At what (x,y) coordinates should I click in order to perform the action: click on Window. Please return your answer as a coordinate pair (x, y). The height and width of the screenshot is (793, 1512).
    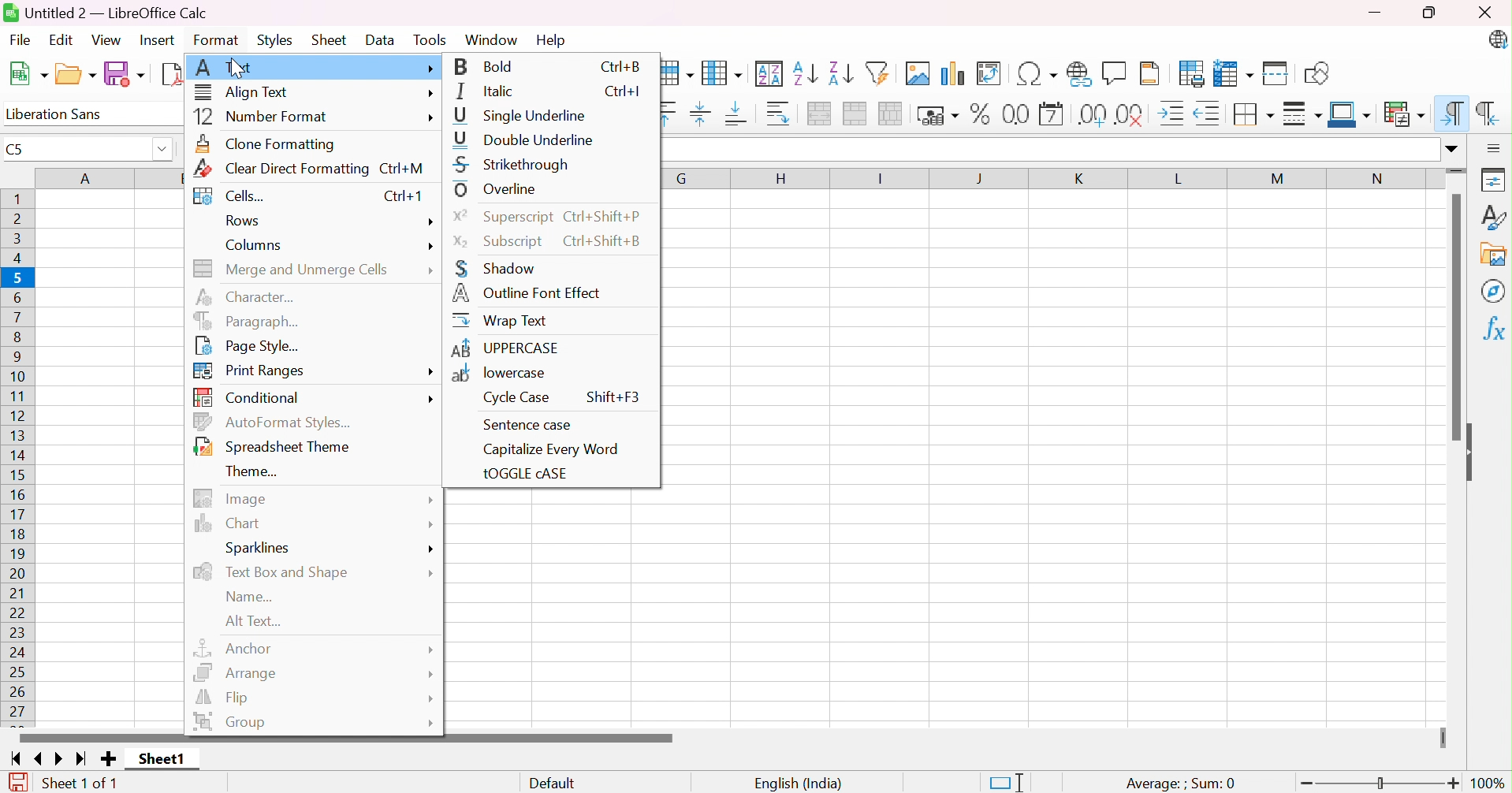
    Looking at the image, I should click on (493, 39).